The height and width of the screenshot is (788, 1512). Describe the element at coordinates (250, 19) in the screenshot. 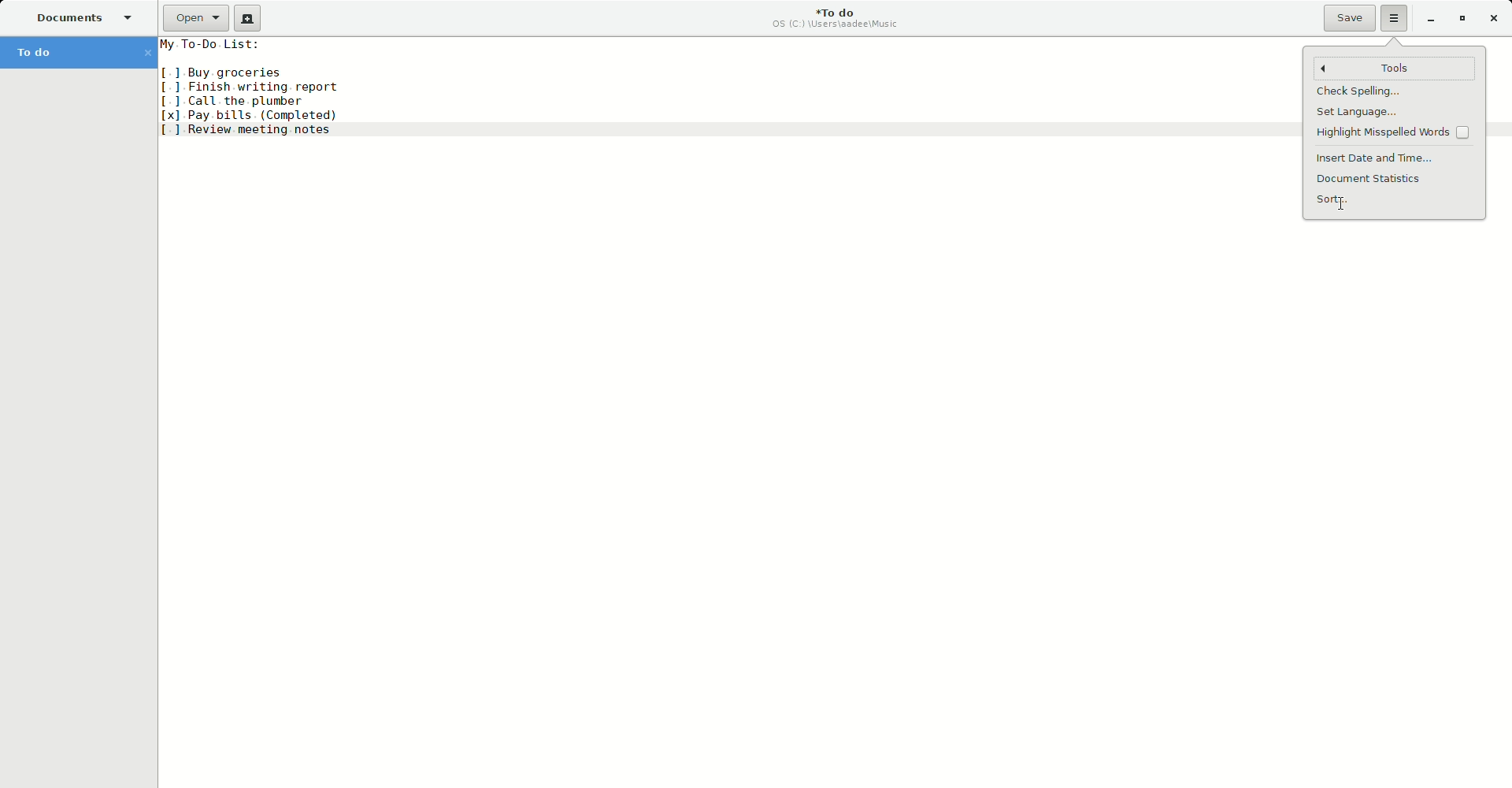

I see `New` at that location.